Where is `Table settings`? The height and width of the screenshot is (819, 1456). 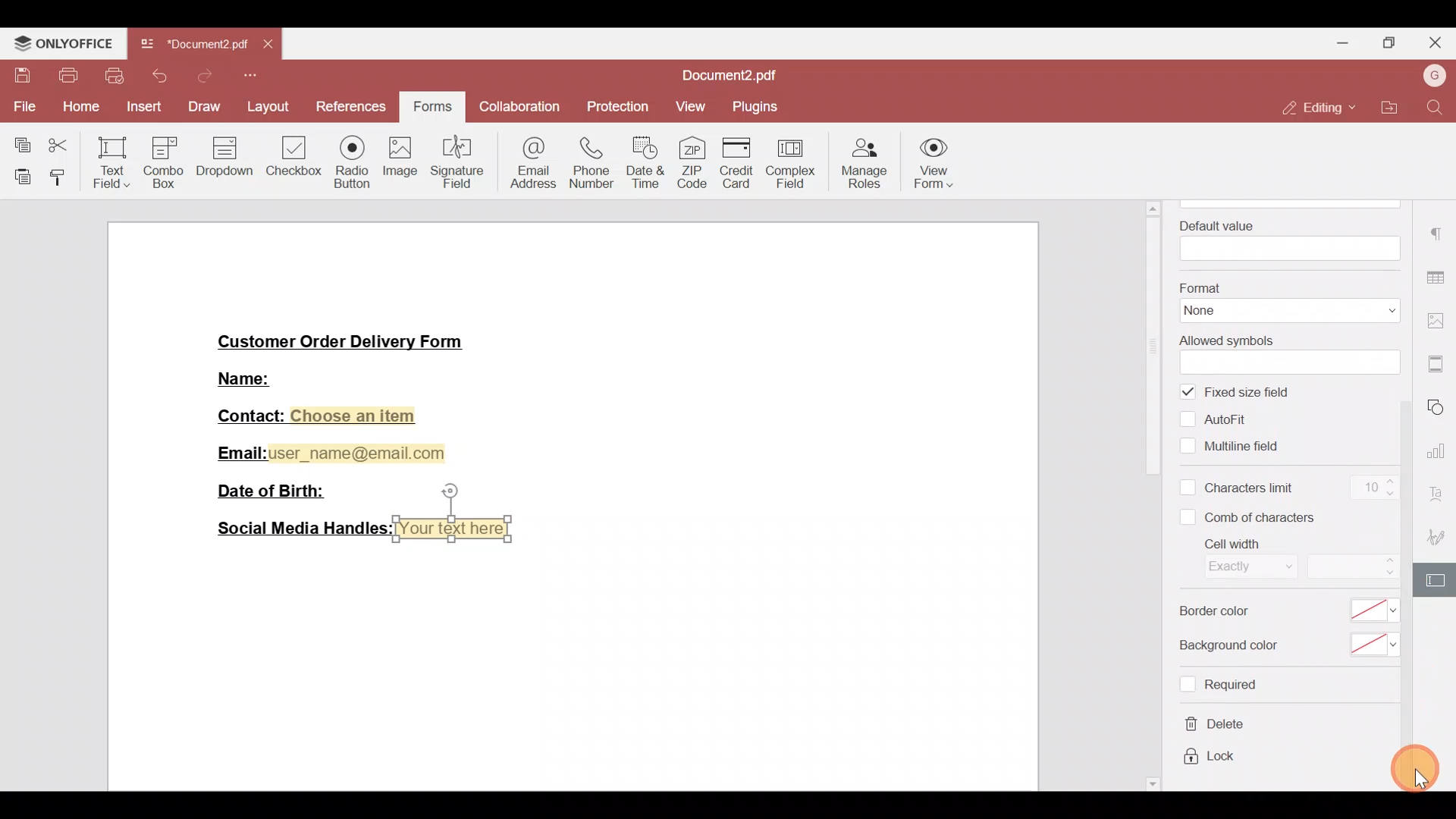
Table settings is located at coordinates (1438, 275).